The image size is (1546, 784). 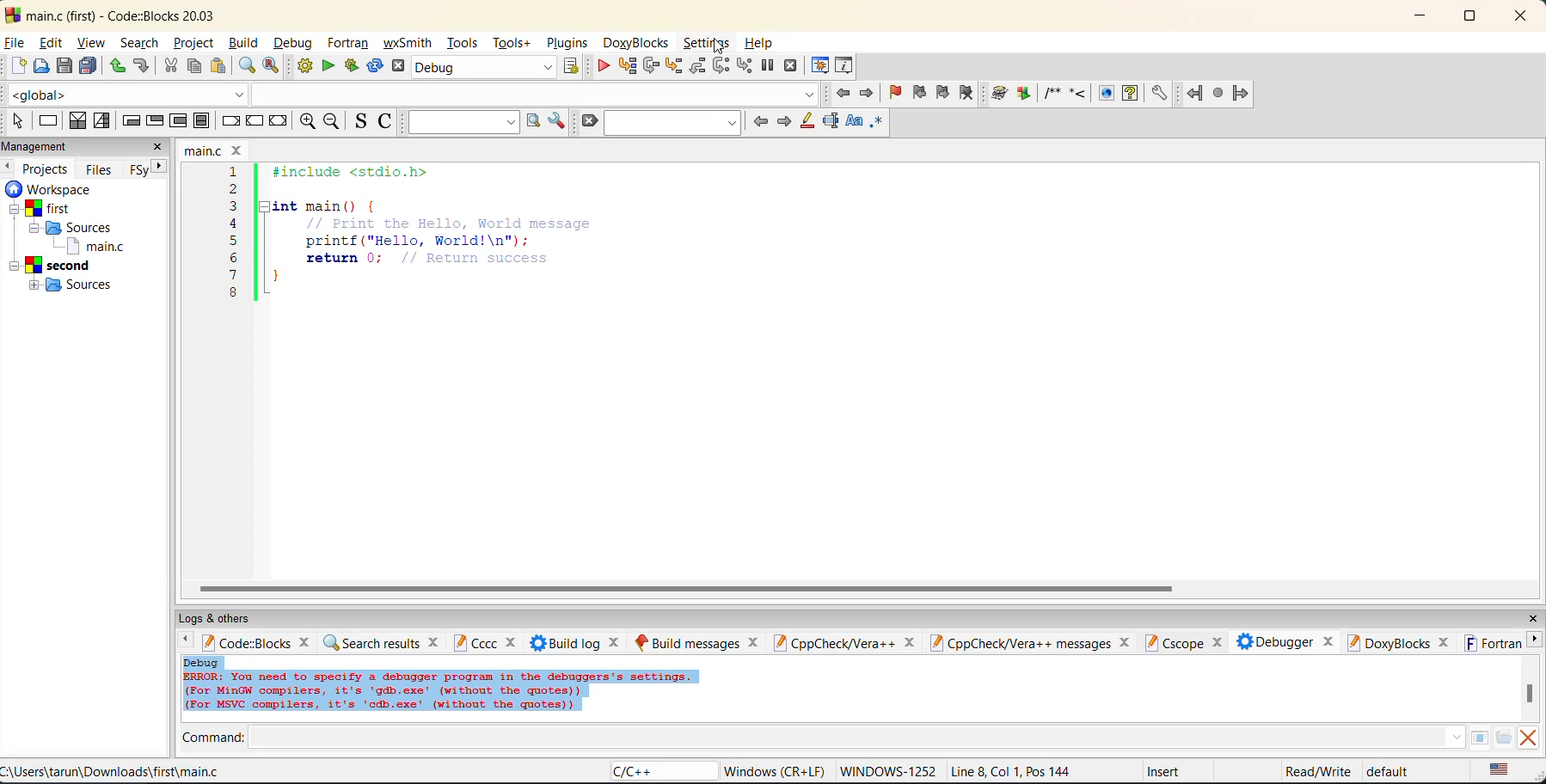 I want to click on command, so click(x=840, y=738).